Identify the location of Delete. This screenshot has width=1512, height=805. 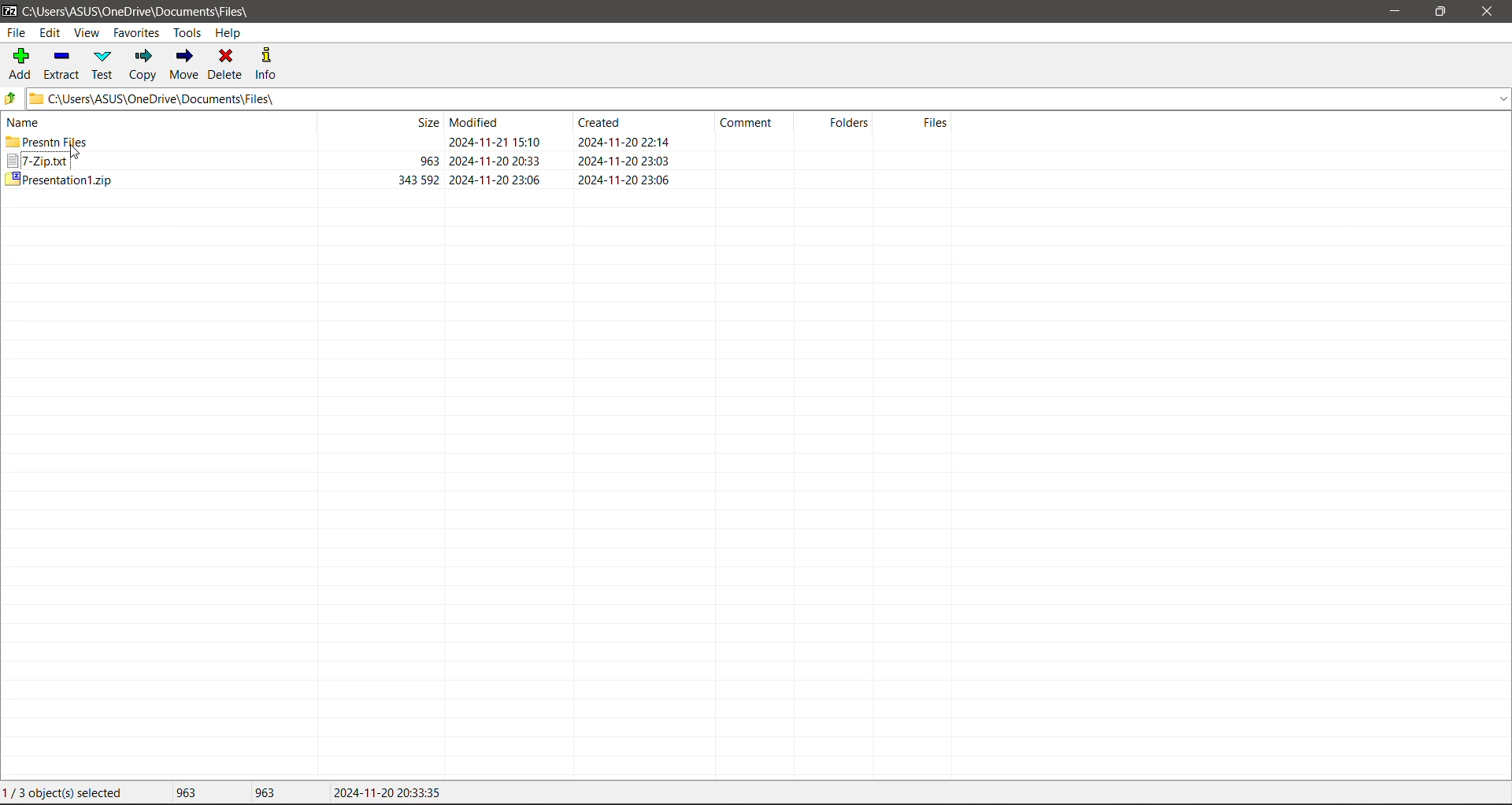
(227, 63).